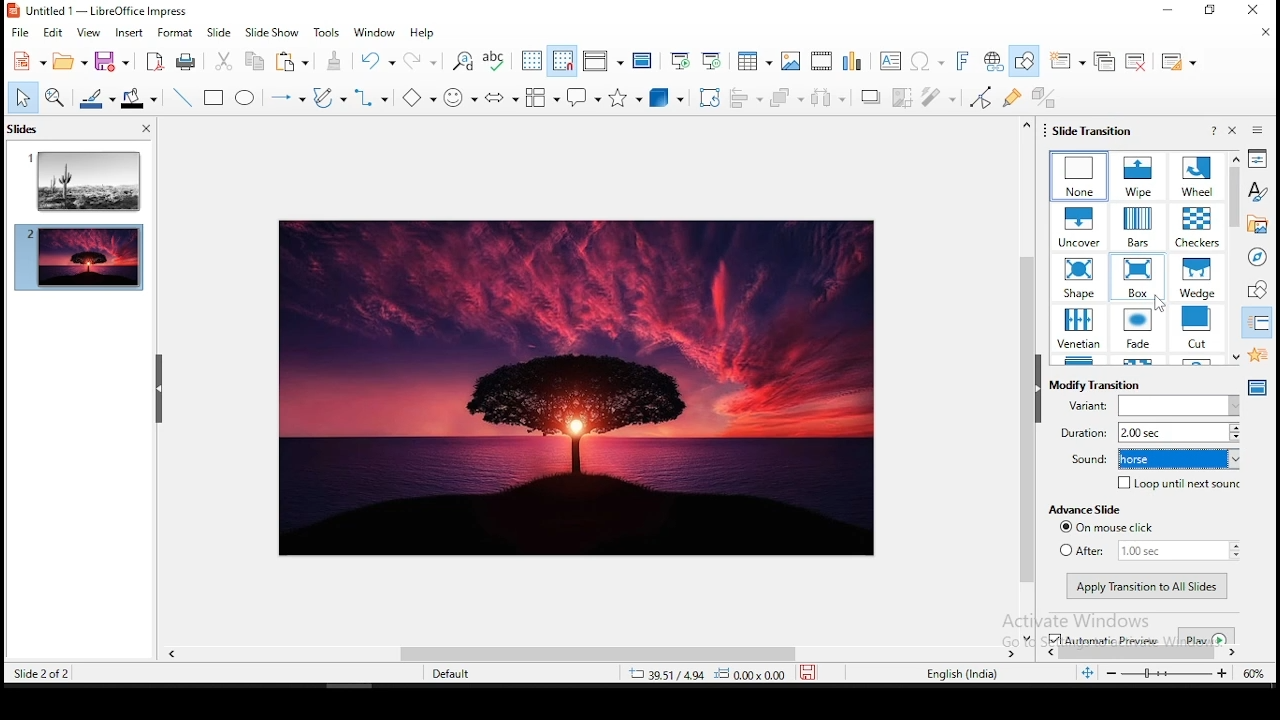 Image resolution: width=1280 pixels, height=720 pixels. What do you see at coordinates (1138, 61) in the screenshot?
I see `delete slide` at bounding box center [1138, 61].